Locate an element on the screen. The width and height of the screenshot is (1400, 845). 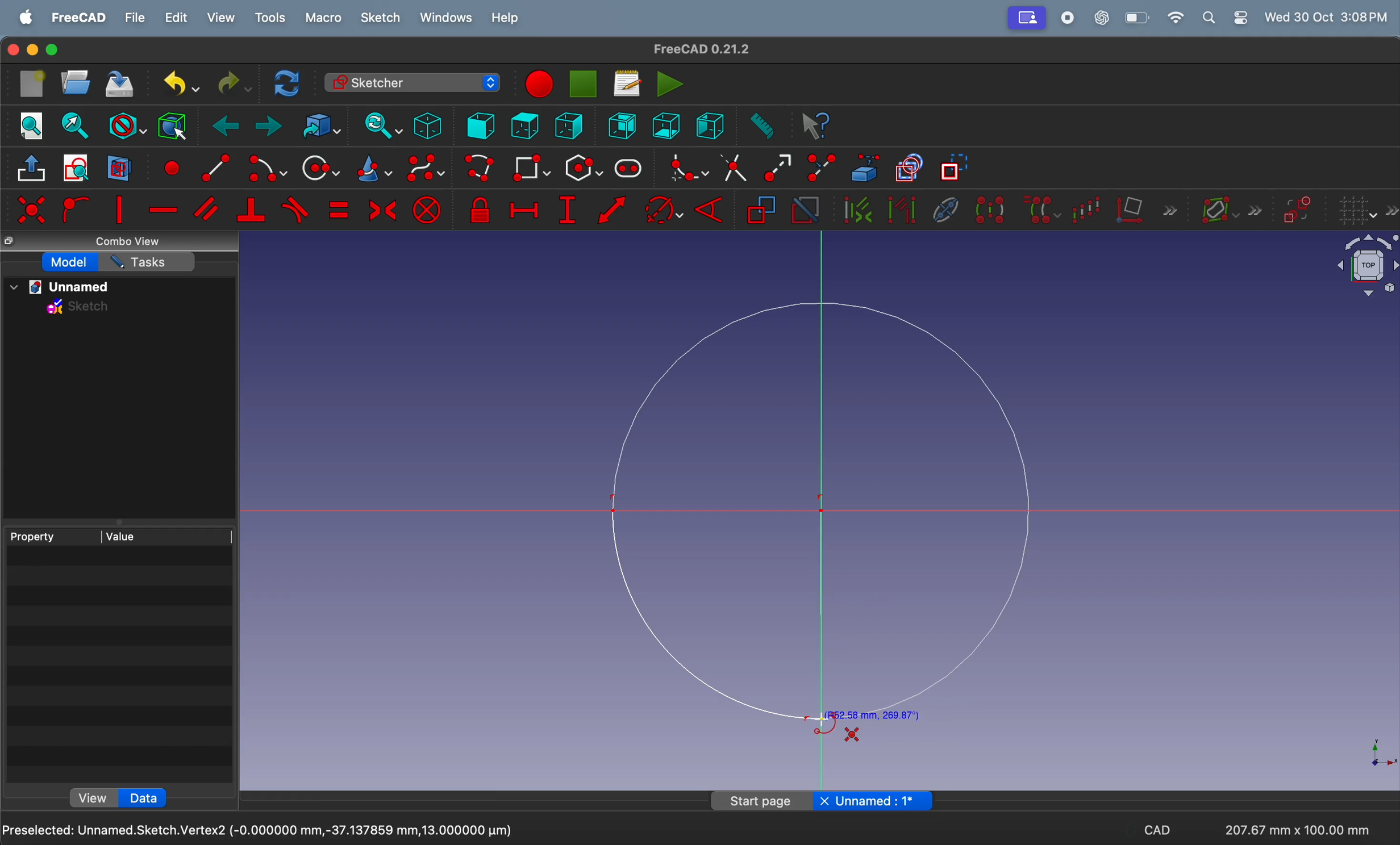
create arc is located at coordinates (265, 169).